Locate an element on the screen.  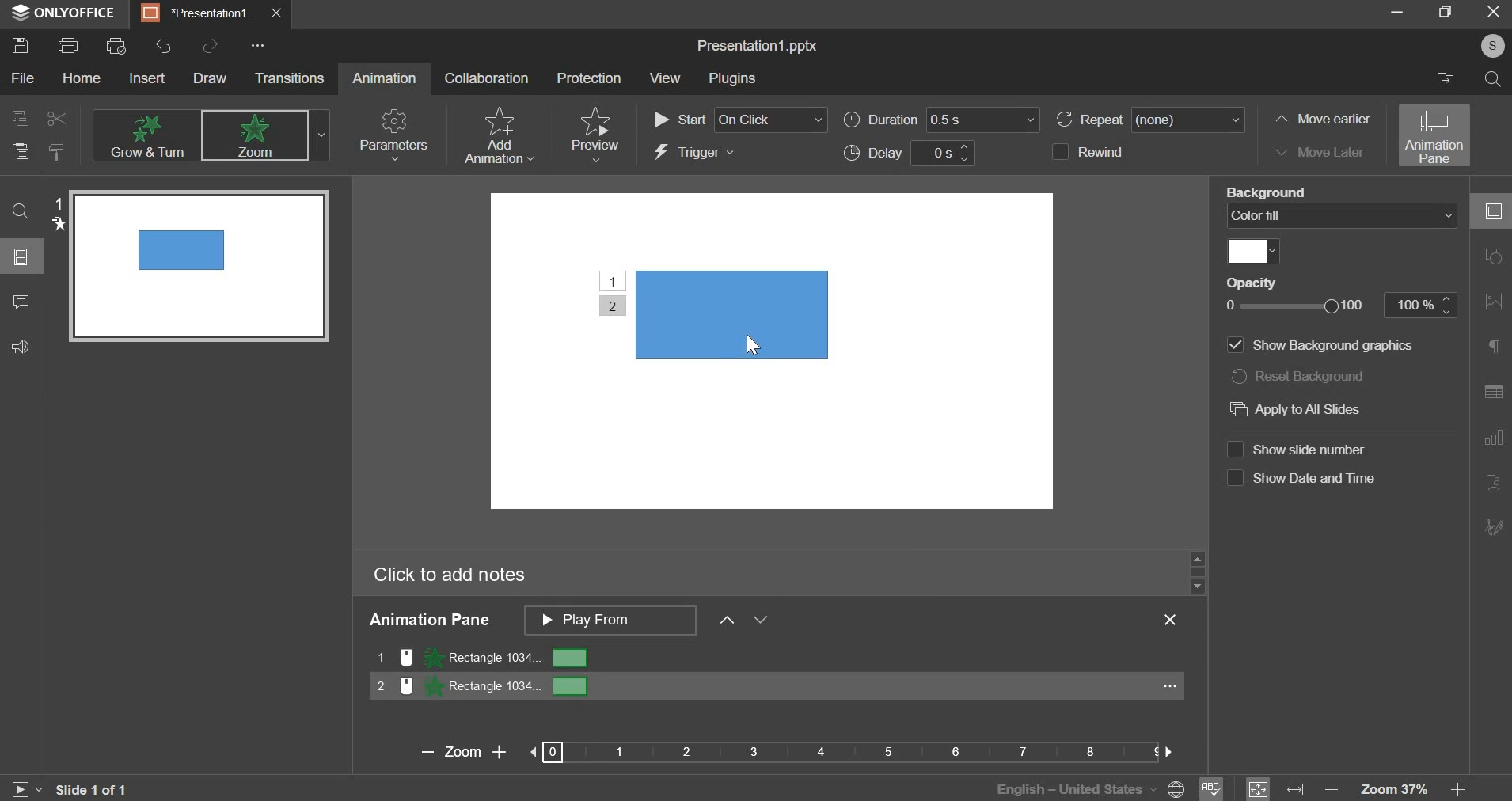
move earlier is located at coordinates (1323, 119).